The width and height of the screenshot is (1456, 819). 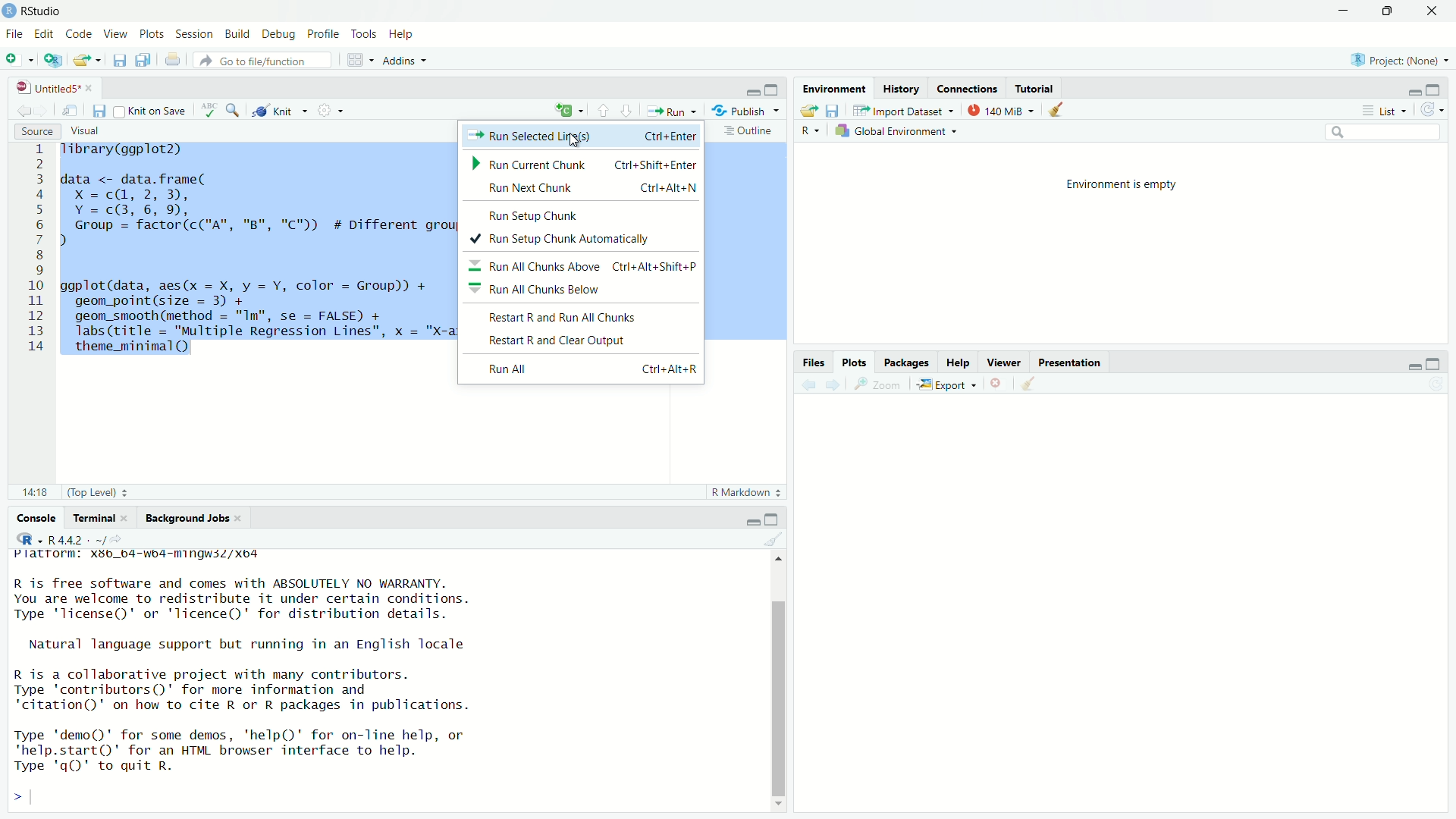 I want to click on files, so click(x=100, y=111).